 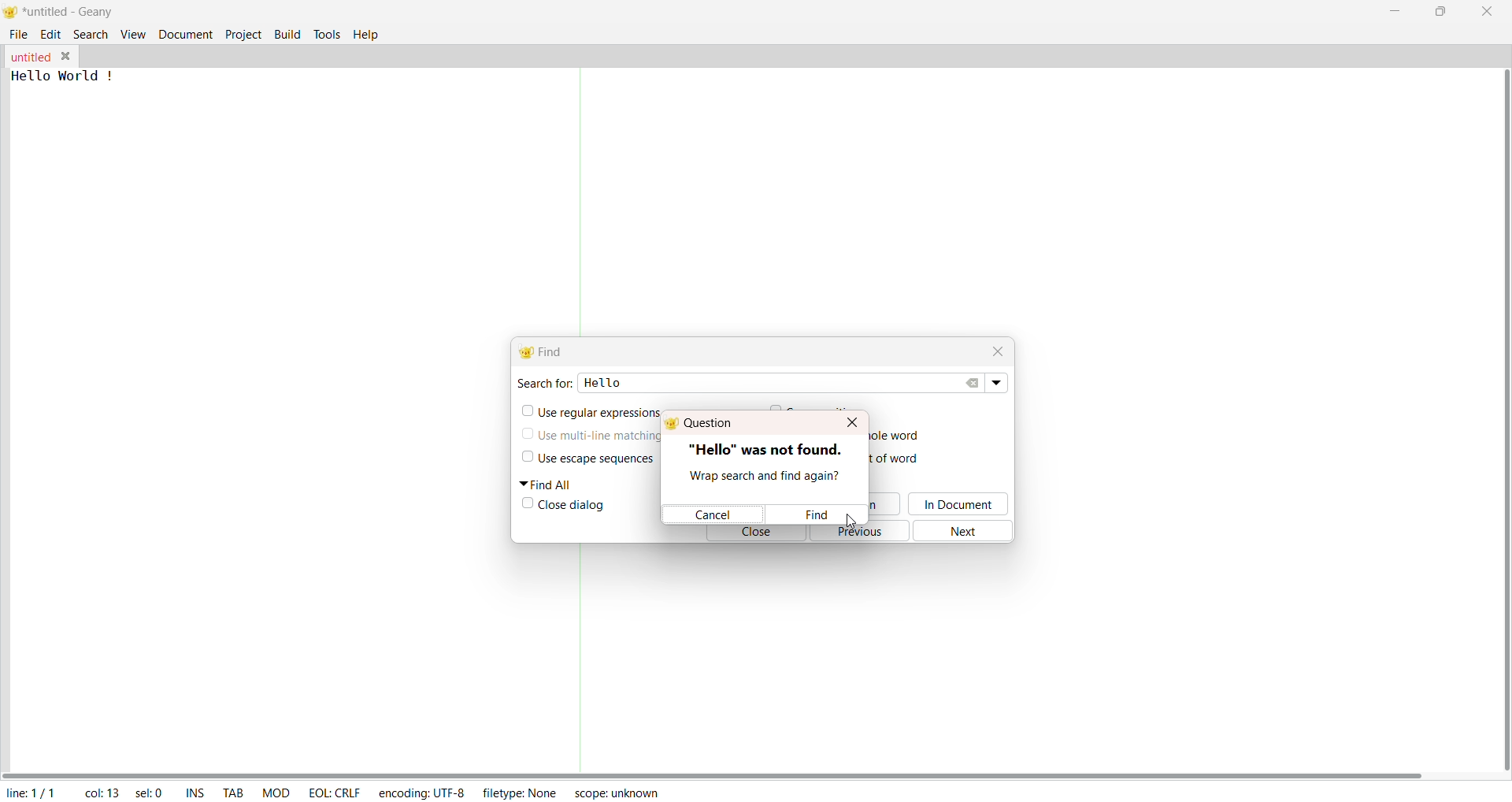 What do you see at coordinates (850, 421) in the screenshot?
I see `Close Dialog box` at bounding box center [850, 421].